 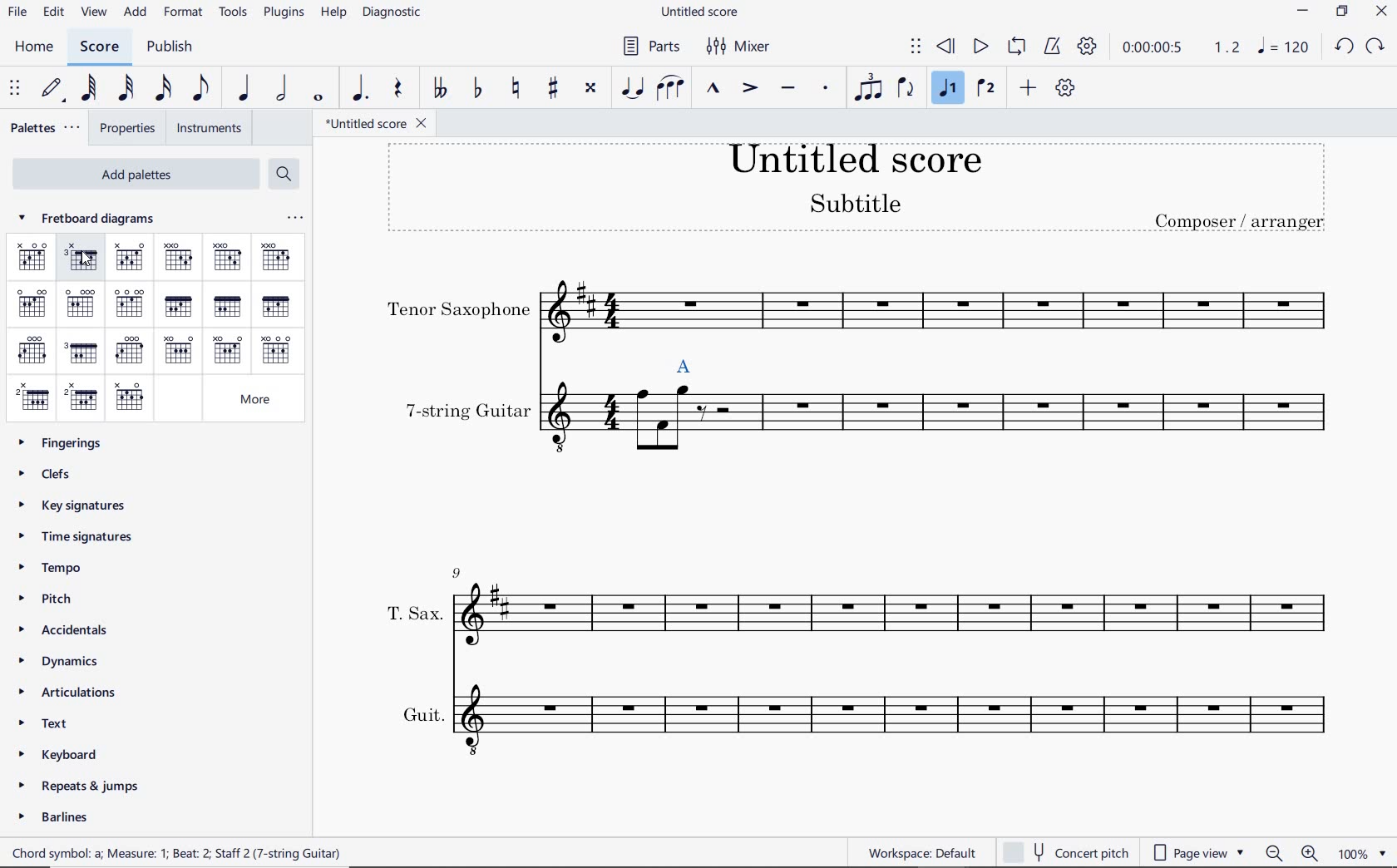 I want to click on FILE NAME, so click(x=704, y=12).